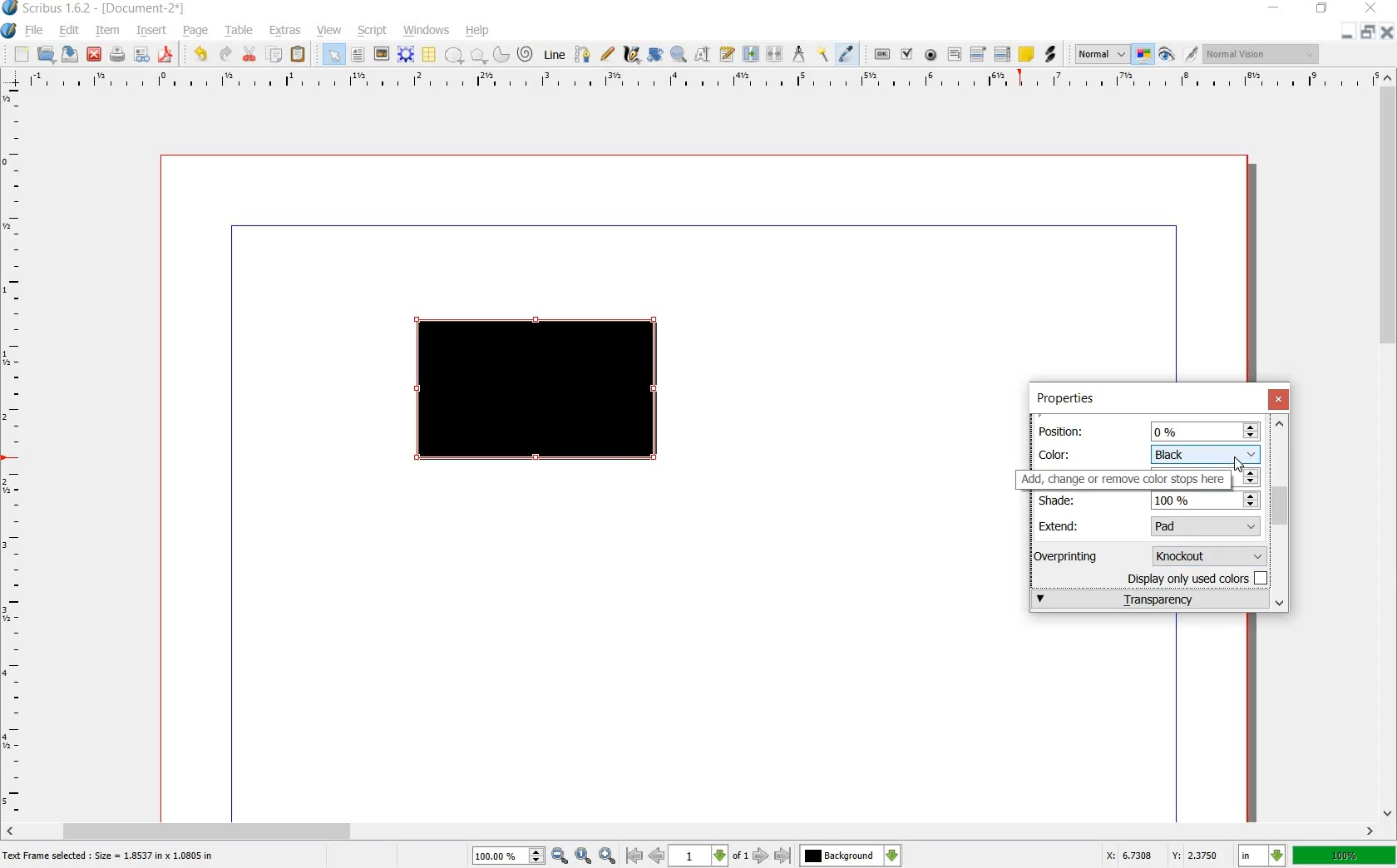 The width and height of the screenshot is (1397, 868). I want to click on edit contents of frame, so click(703, 55).